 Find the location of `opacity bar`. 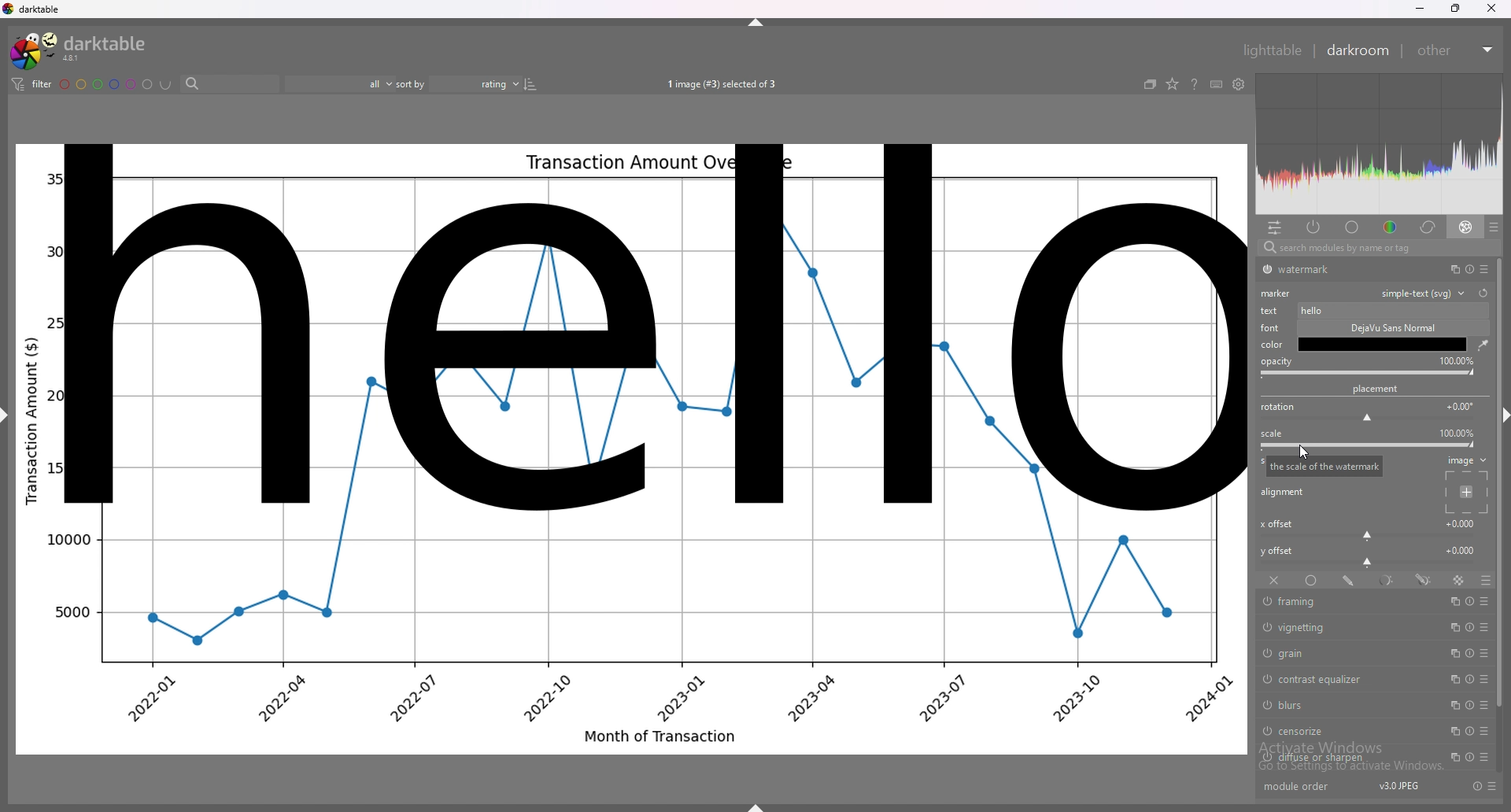

opacity bar is located at coordinates (1368, 374).